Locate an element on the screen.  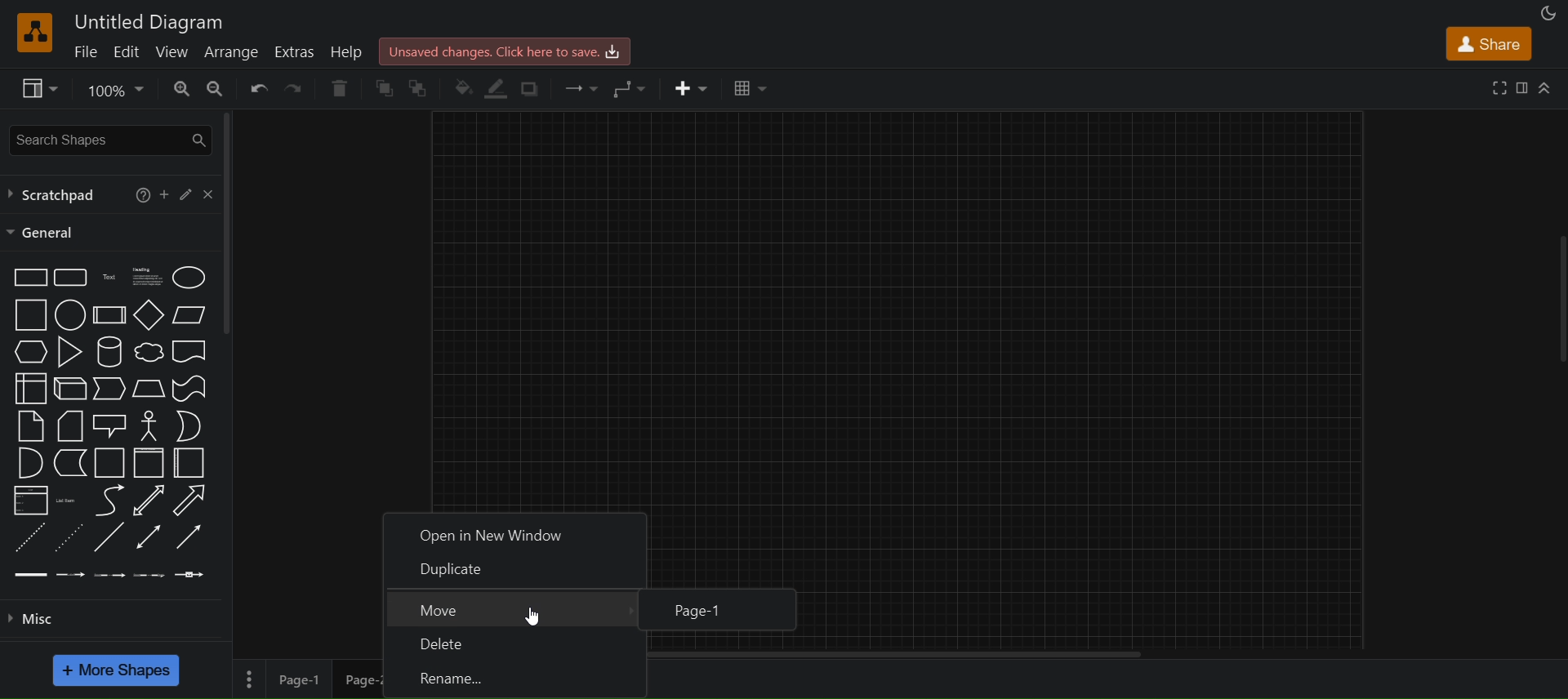
logo is located at coordinates (32, 33).